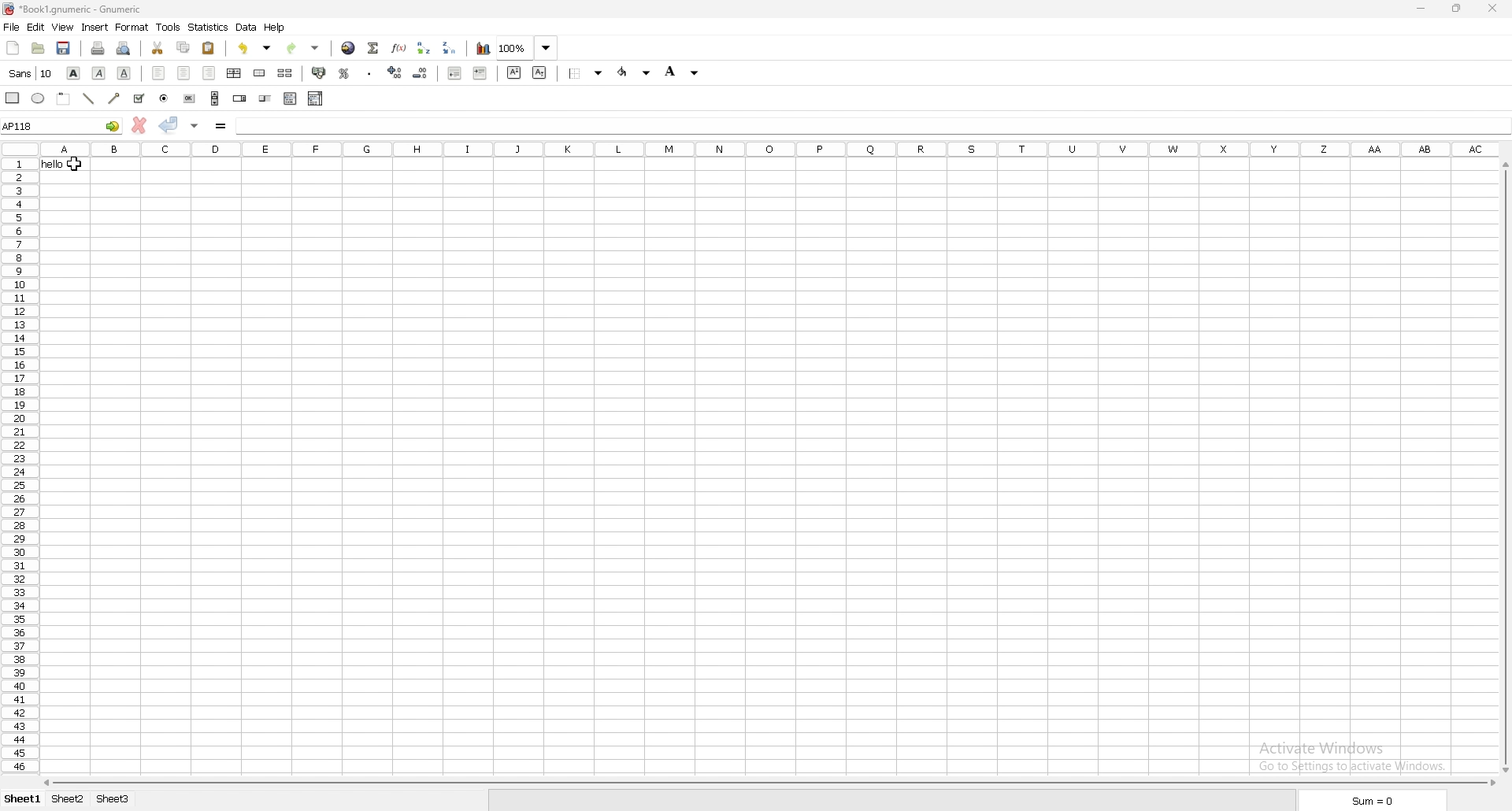 This screenshot has width=1512, height=811. What do you see at coordinates (400, 48) in the screenshot?
I see `function` at bounding box center [400, 48].